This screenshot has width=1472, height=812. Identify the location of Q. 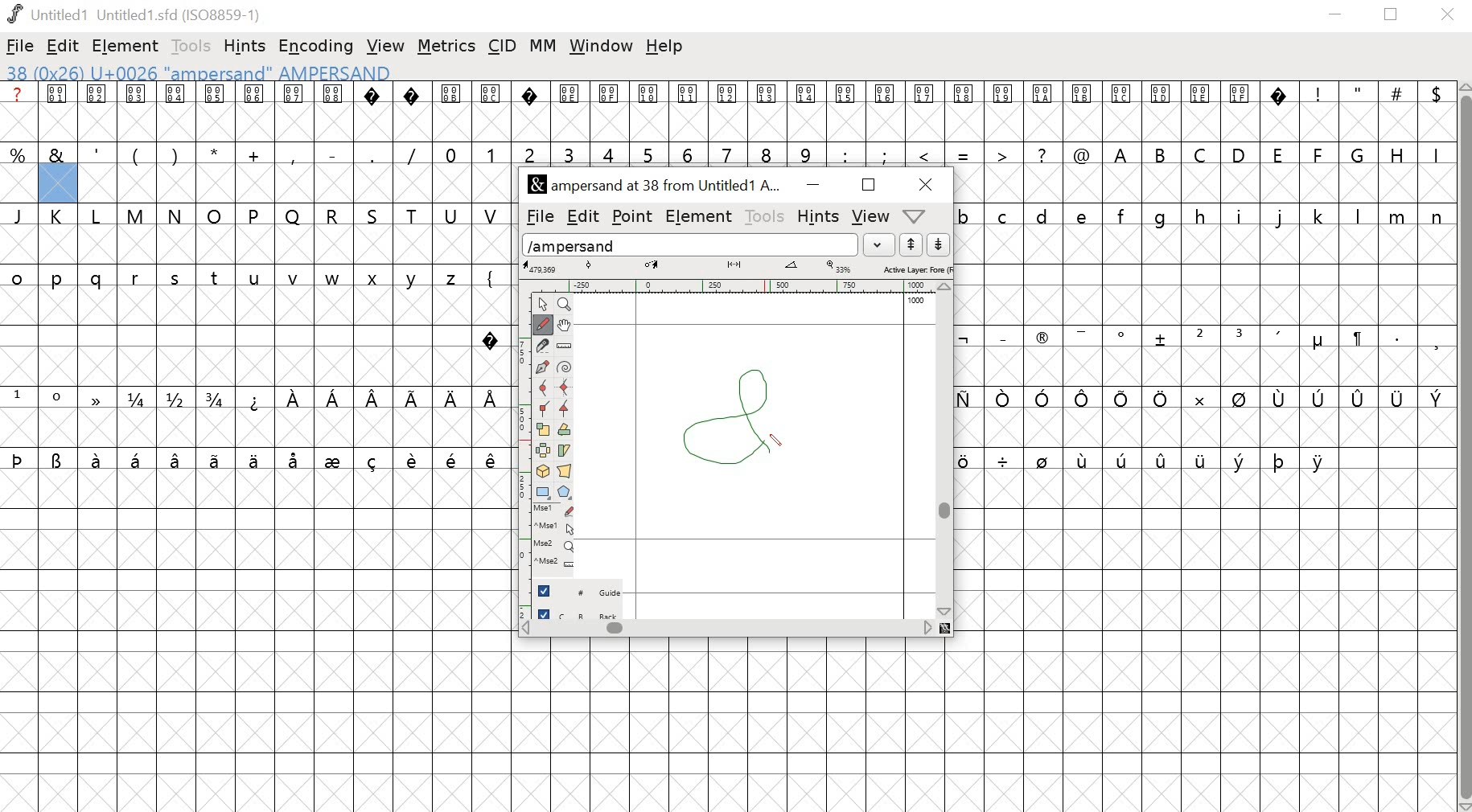
(293, 215).